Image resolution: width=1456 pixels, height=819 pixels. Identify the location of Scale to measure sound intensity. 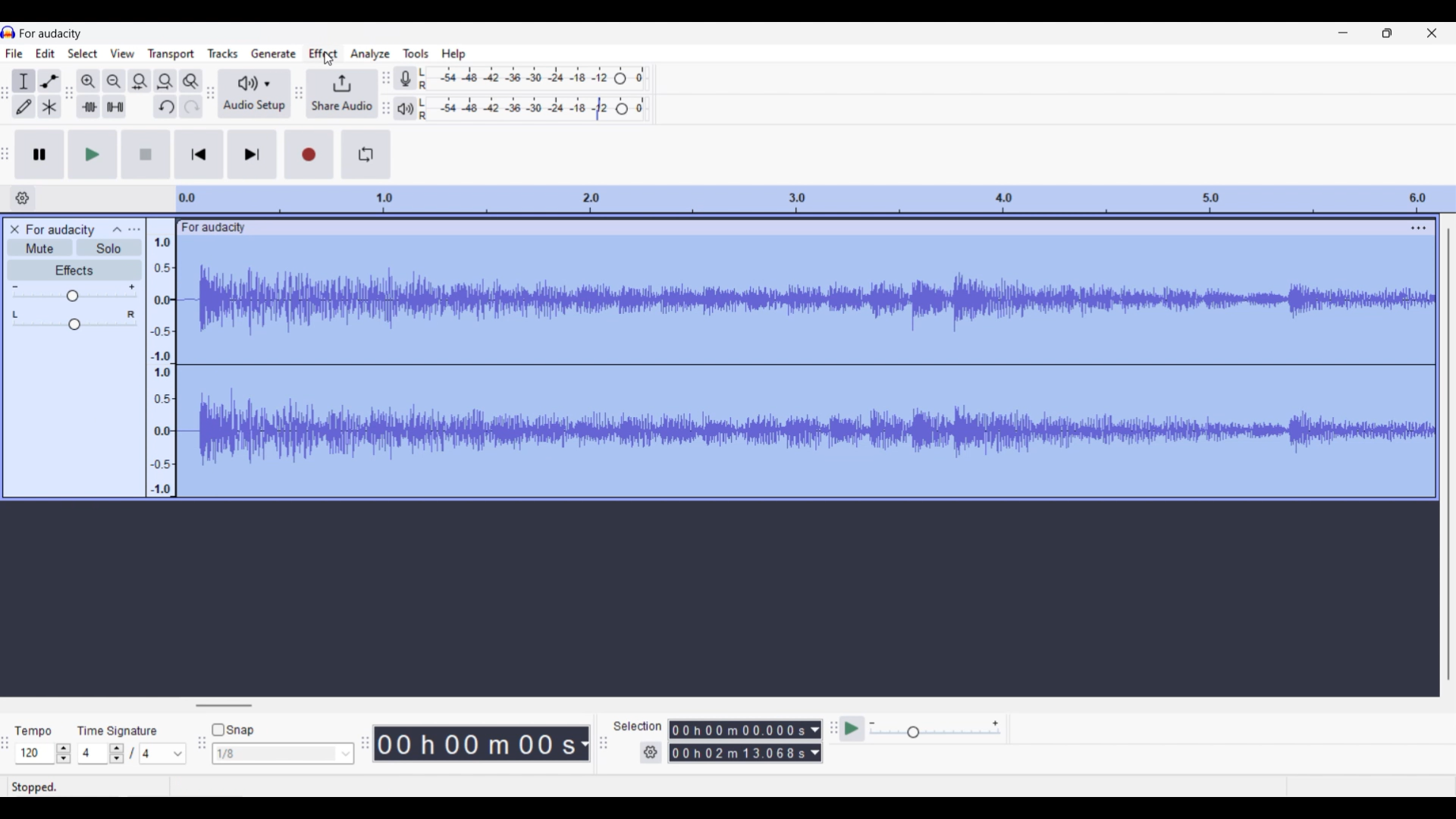
(161, 366).